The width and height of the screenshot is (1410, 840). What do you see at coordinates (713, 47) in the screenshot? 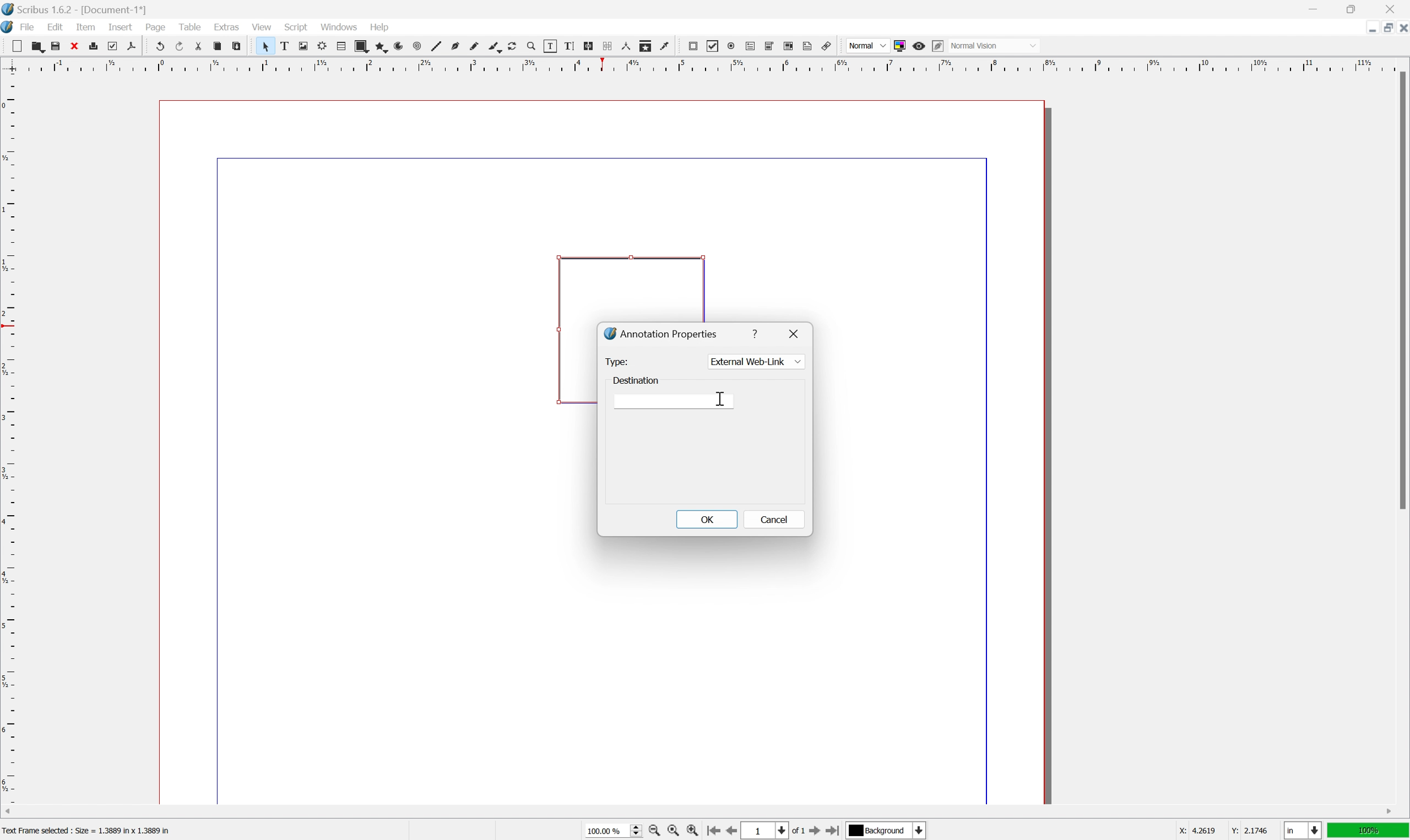
I see `pdf checkbox` at bounding box center [713, 47].